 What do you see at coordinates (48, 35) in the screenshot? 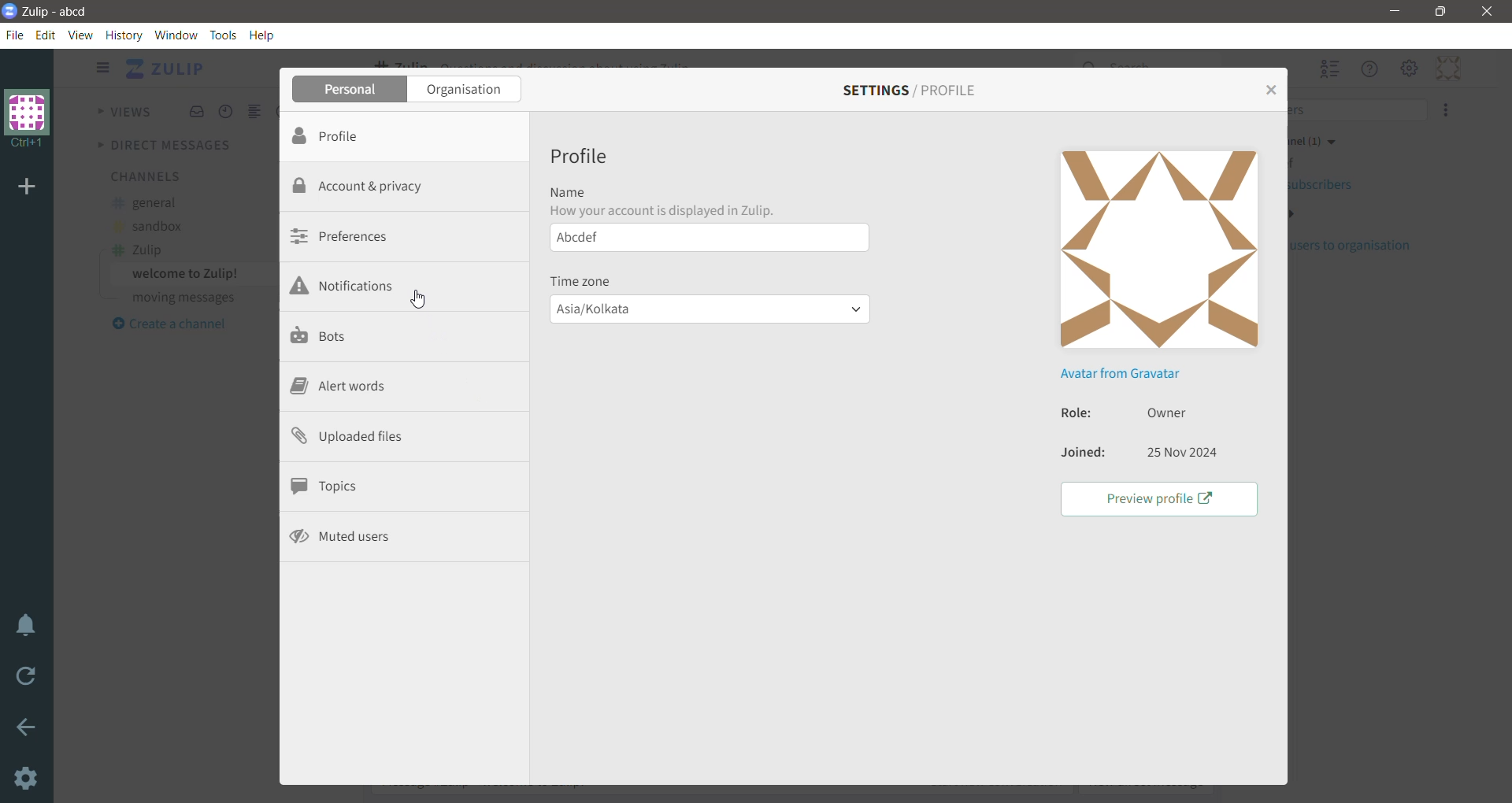
I see `Edit` at bounding box center [48, 35].